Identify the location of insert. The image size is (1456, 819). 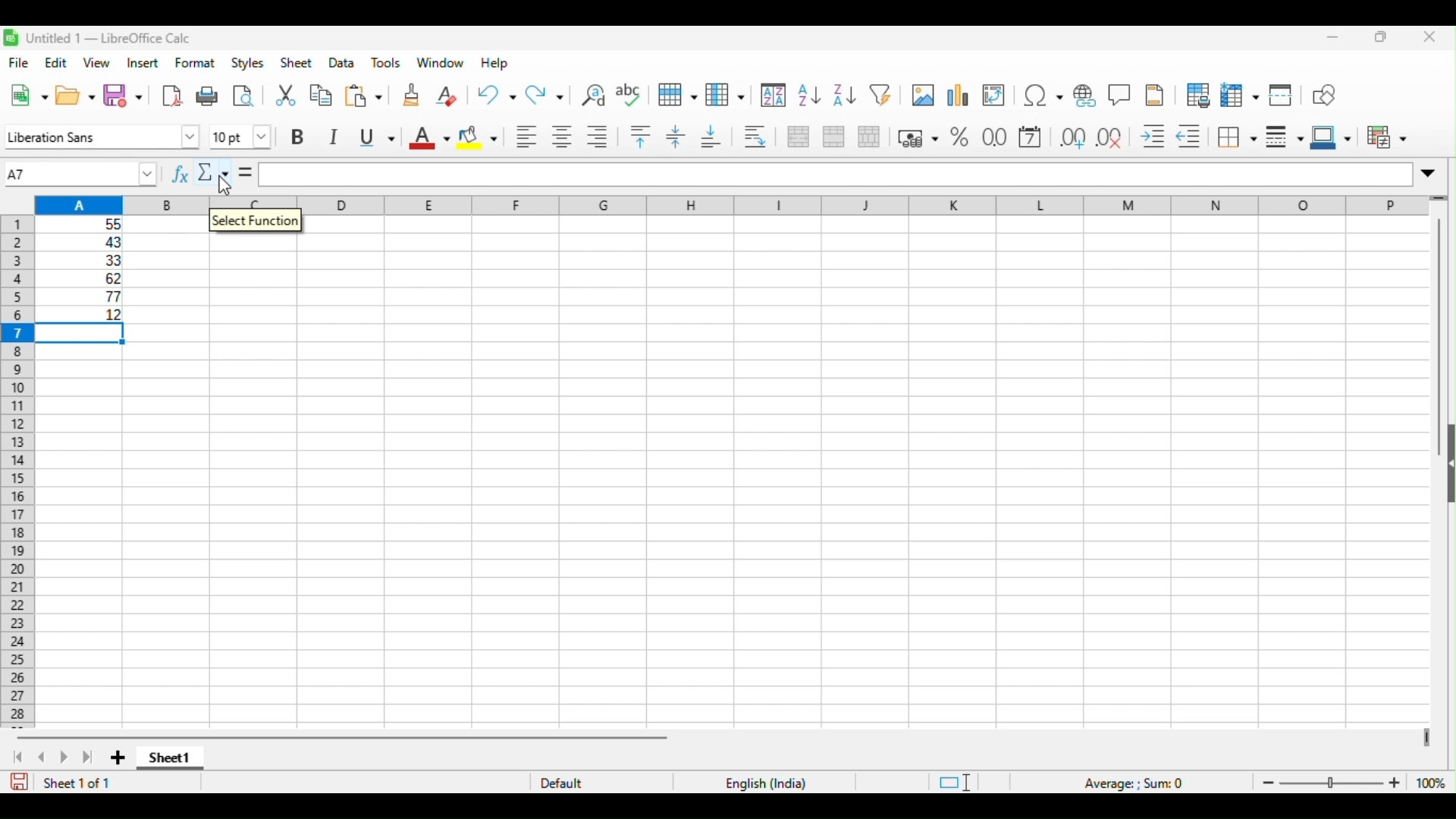
(143, 63).